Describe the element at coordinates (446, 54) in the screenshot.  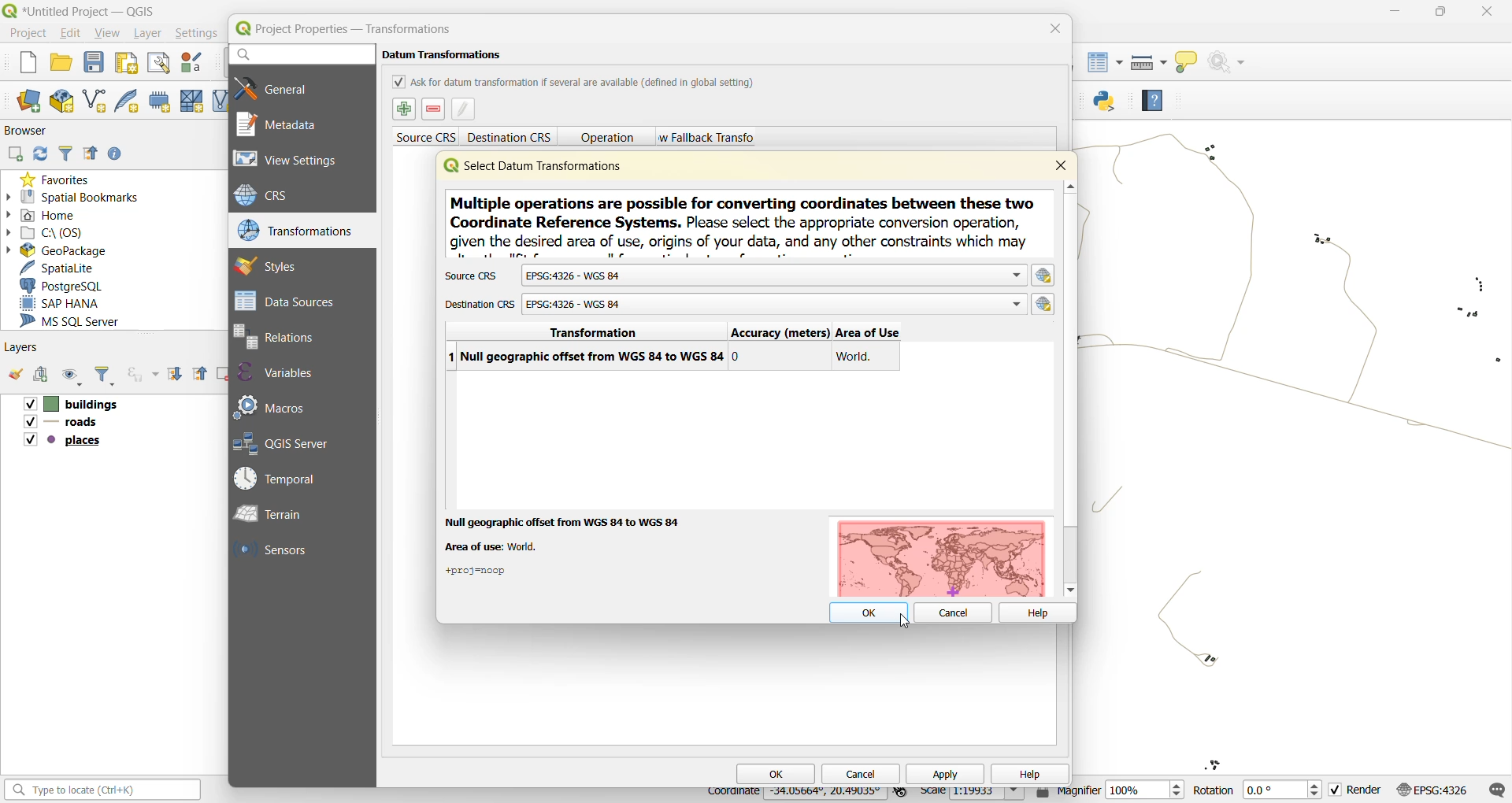
I see `datum transformations` at that location.